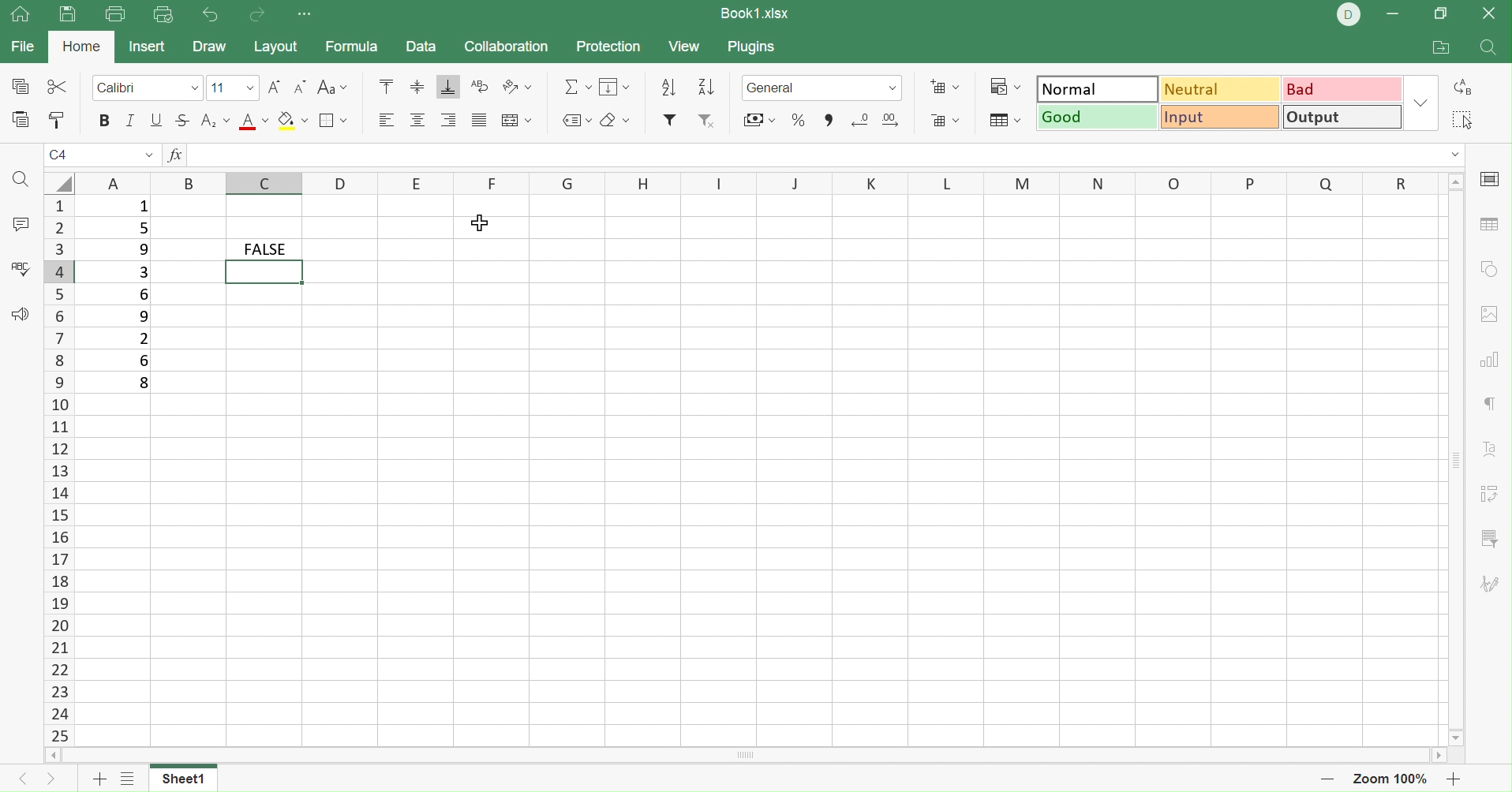 This screenshot has width=1512, height=792. I want to click on 6, so click(144, 359).